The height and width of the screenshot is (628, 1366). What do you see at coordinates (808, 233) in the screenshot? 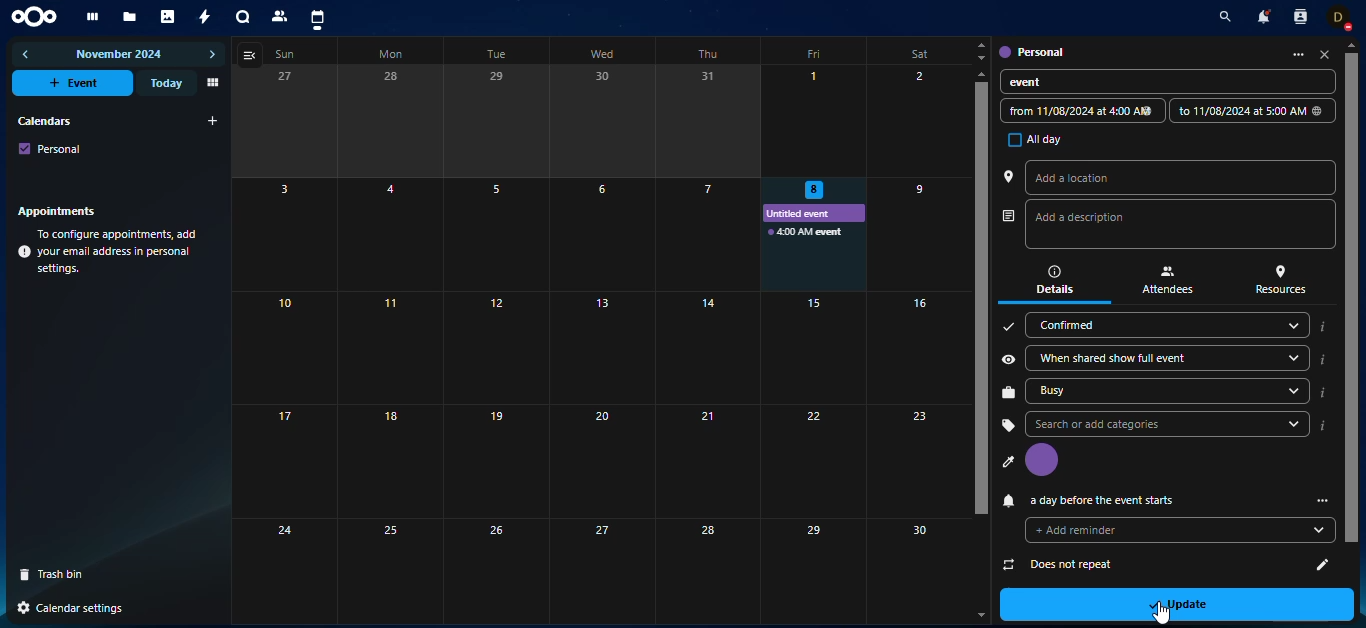
I see `event` at bounding box center [808, 233].